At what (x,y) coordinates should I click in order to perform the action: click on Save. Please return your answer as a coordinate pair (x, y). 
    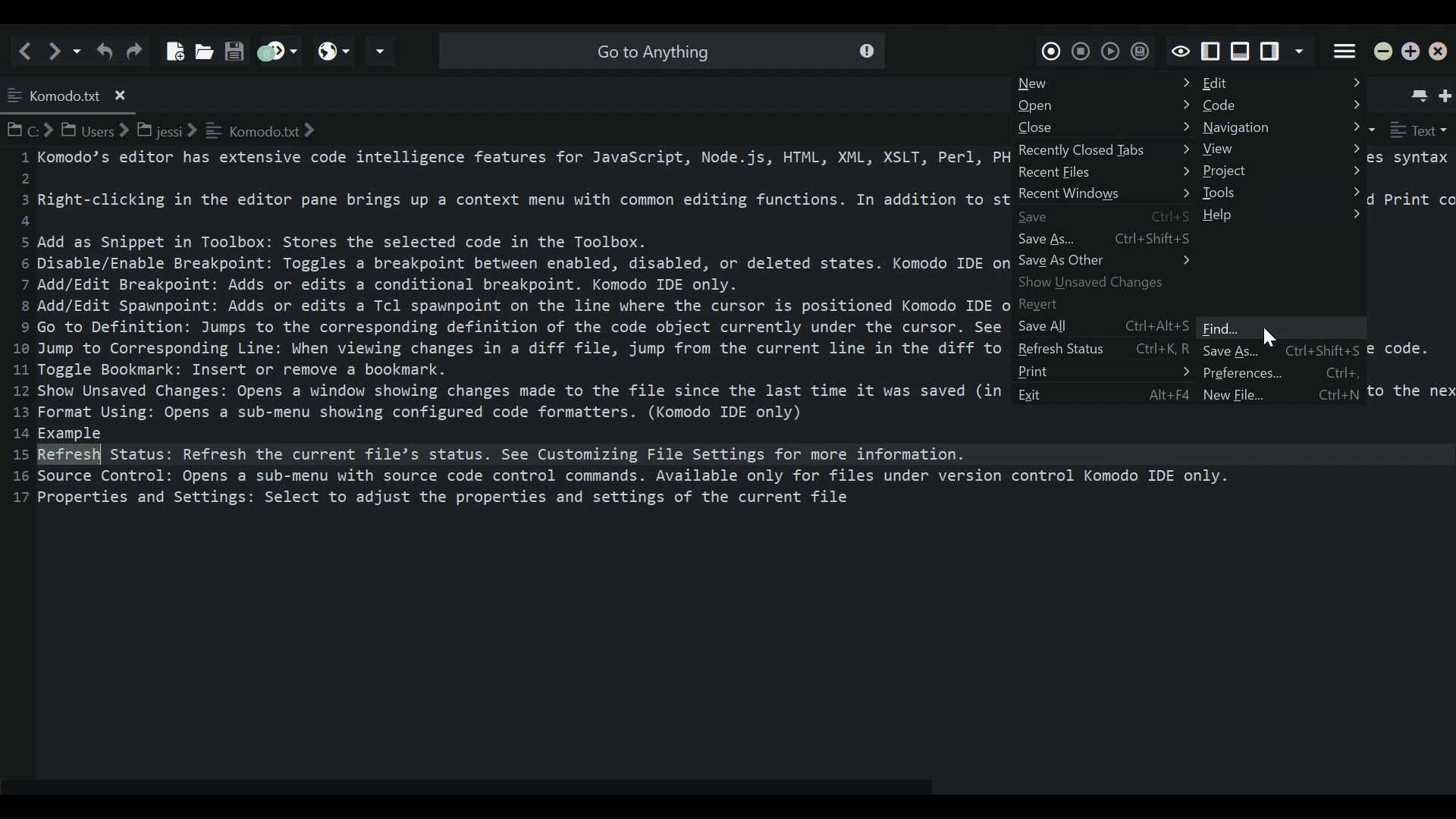
    Looking at the image, I should click on (1103, 216).